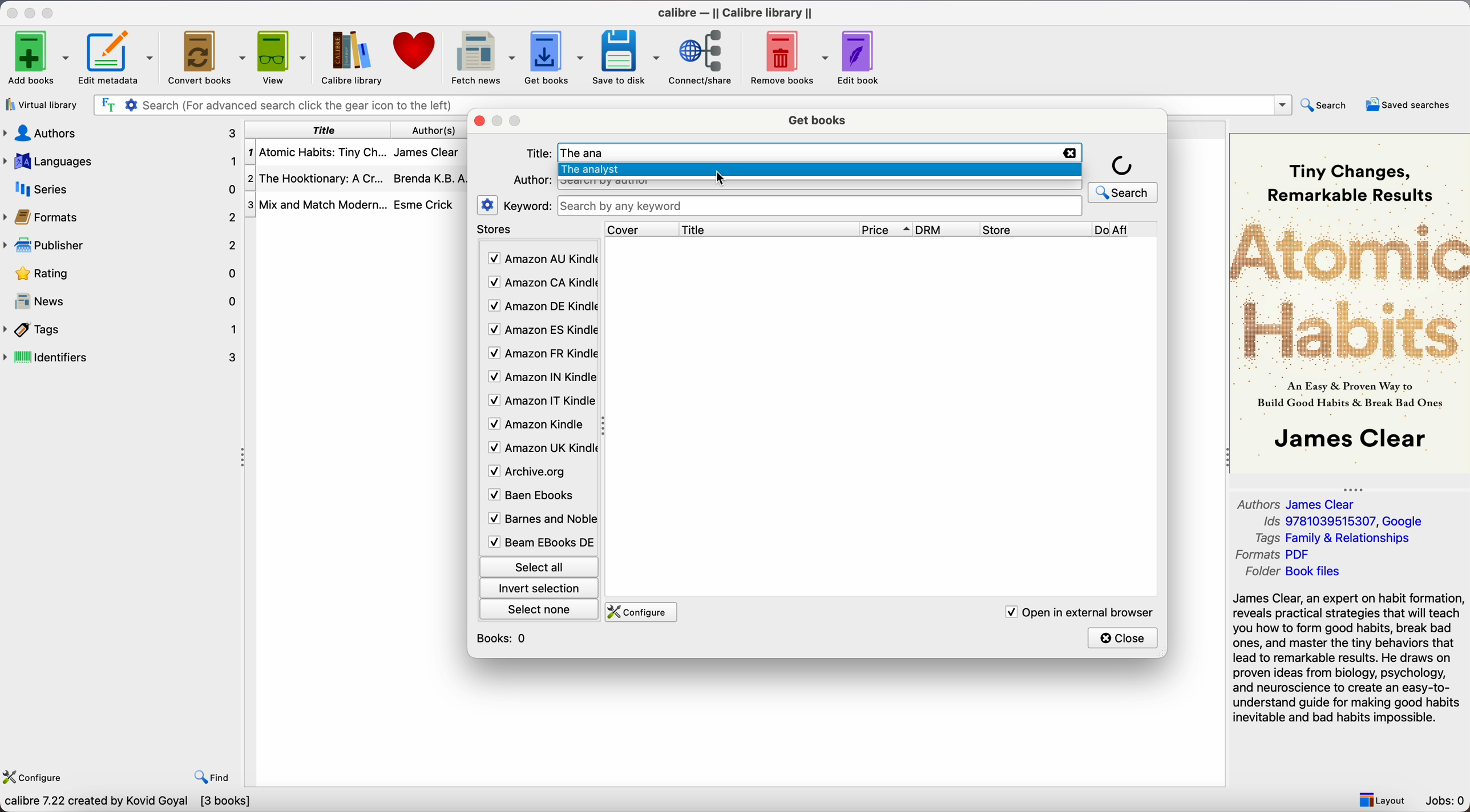 The width and height of the screenshot is (1470, 812). Describe the element at coordinates (541, 259) in the screenshot. I see `Amazon AU Kindle` at that location.